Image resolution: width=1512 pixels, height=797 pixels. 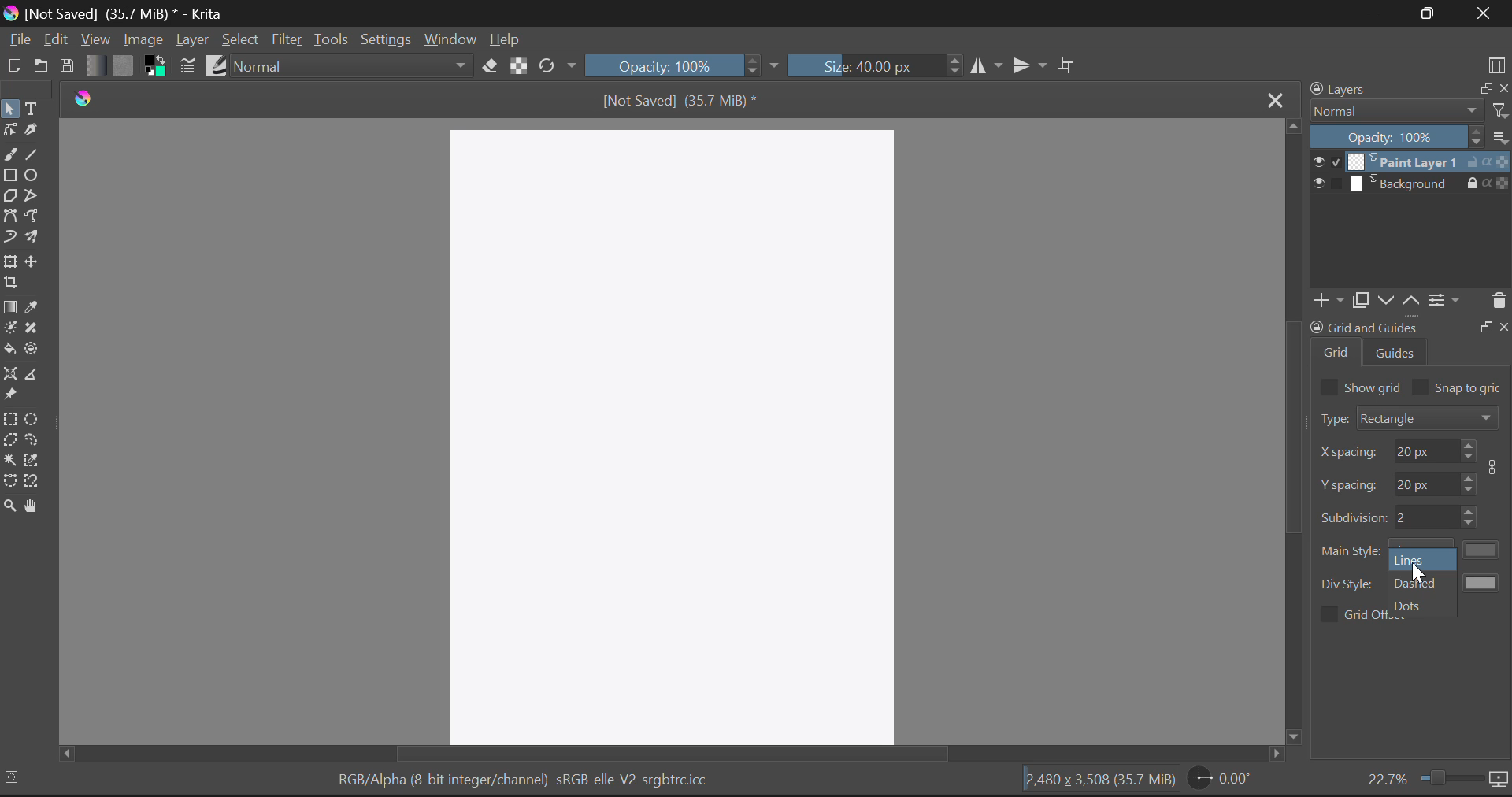 I want to click on |2.480 x 3,508 (35.7 MiB), so click(x=1099, y=781).